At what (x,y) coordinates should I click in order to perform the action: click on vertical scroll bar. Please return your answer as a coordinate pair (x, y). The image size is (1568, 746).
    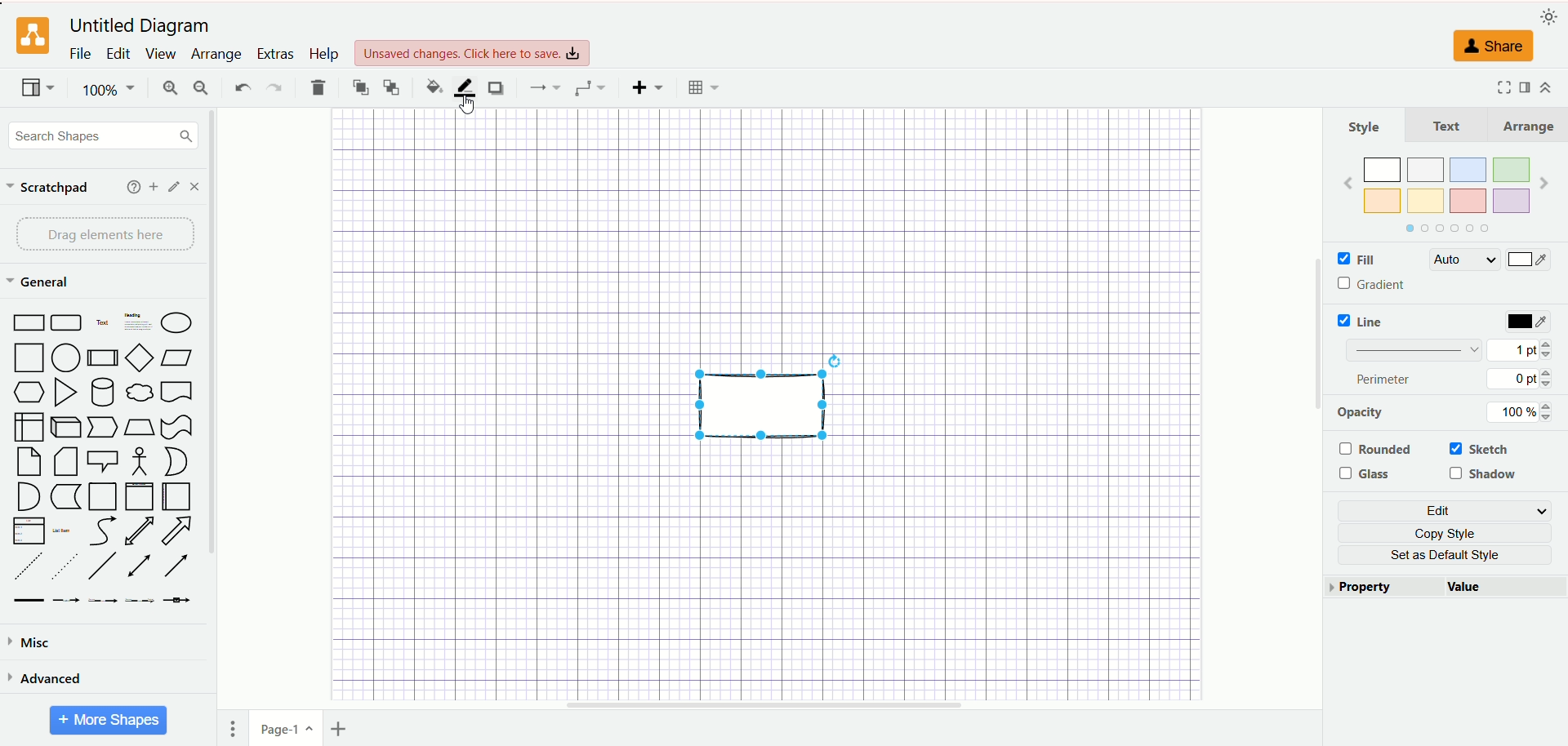
    Looking at the image, I should click on (1317, 409).